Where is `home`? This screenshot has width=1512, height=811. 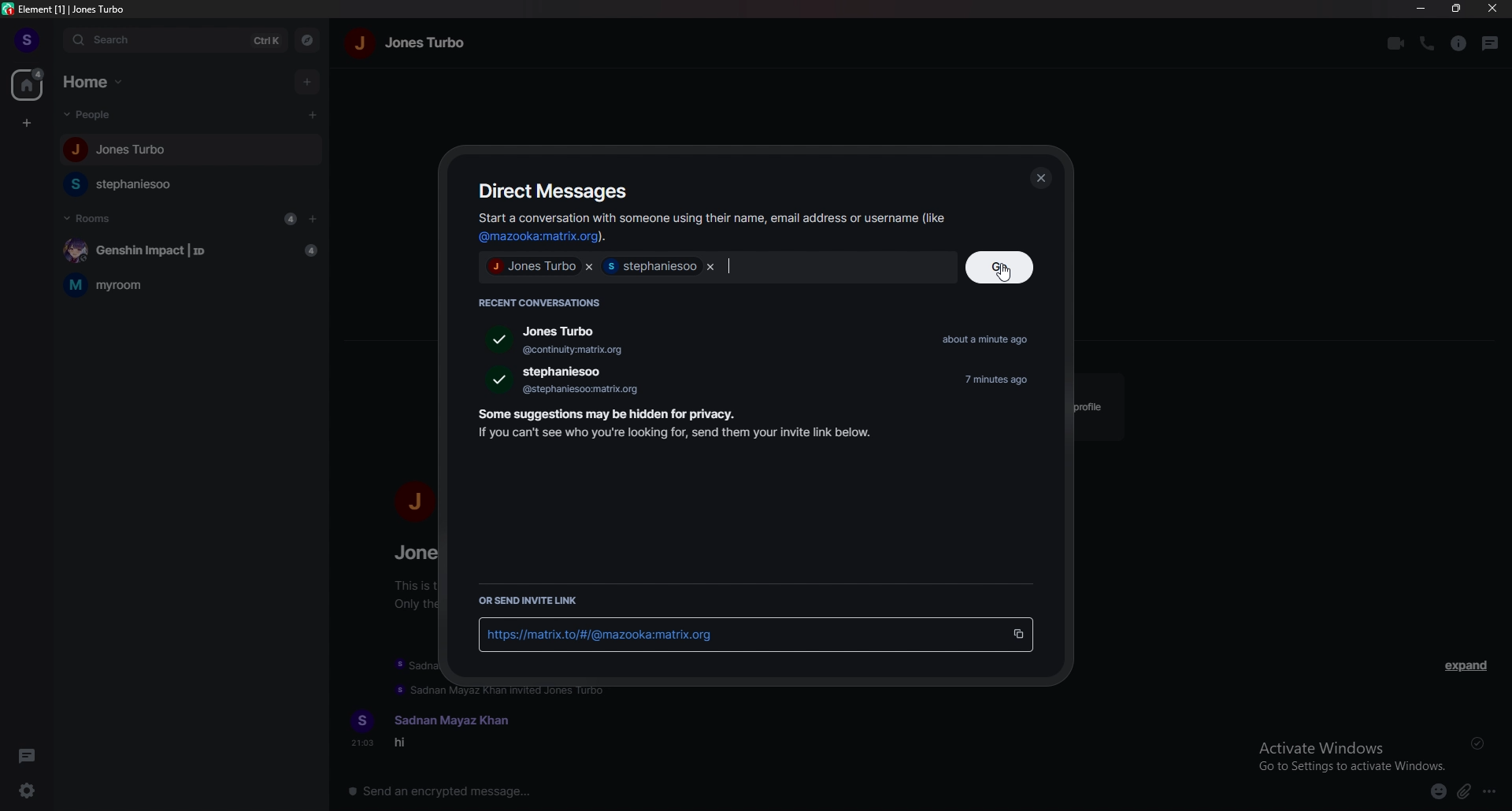
home is located at coordinates (28, 84).